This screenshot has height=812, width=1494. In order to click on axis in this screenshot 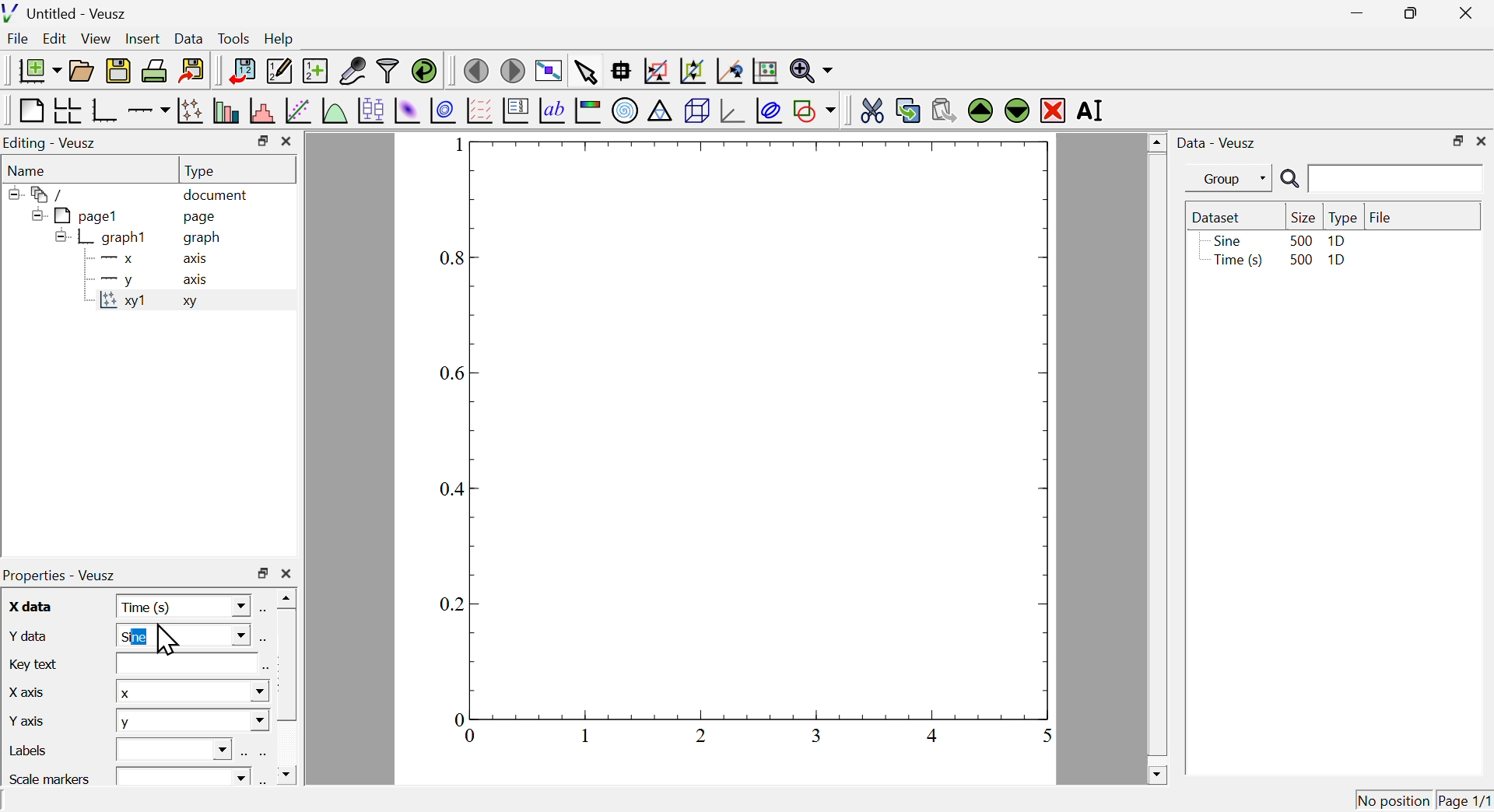, I will do `click(197, 260)`.